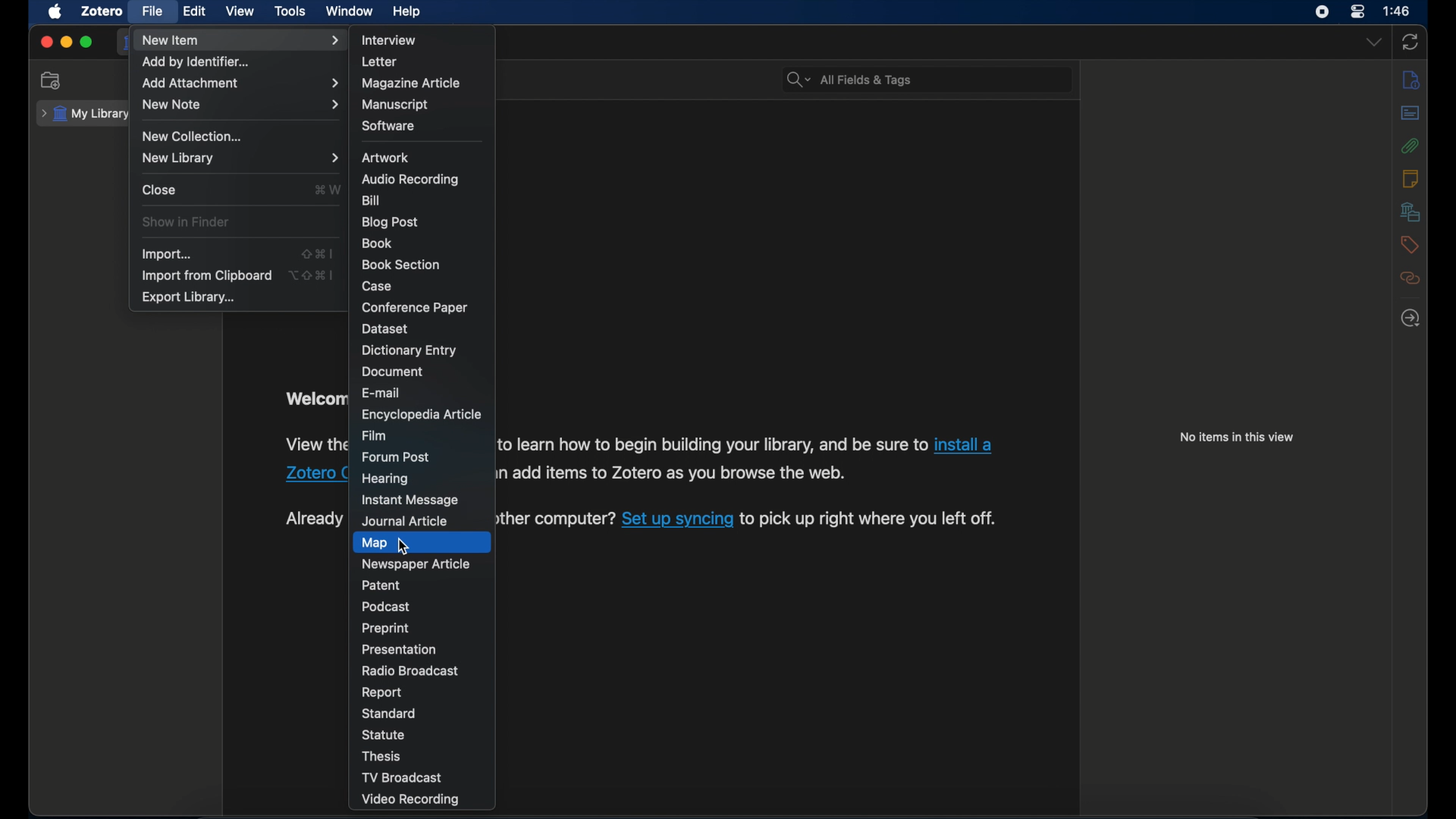  What do you see at coordinates (400, 649) in the screenshot?
I see `presentation` at bounding box center [400, 649].